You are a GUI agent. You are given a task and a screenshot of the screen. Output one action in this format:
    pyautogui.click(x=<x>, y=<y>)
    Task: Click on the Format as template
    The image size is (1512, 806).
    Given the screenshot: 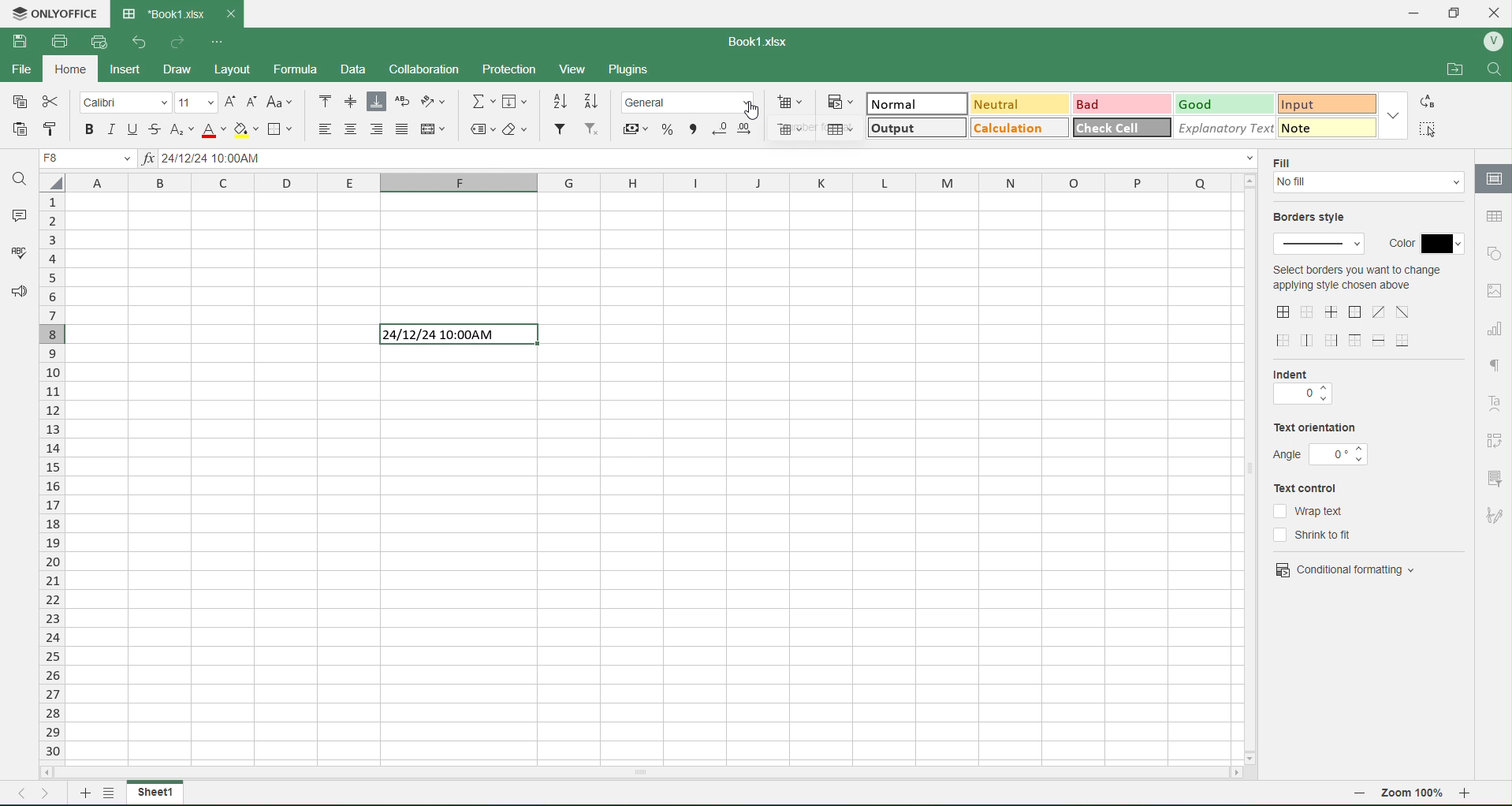 What is the action you would take?
    pyautogui.click(x=840, y=129)
    